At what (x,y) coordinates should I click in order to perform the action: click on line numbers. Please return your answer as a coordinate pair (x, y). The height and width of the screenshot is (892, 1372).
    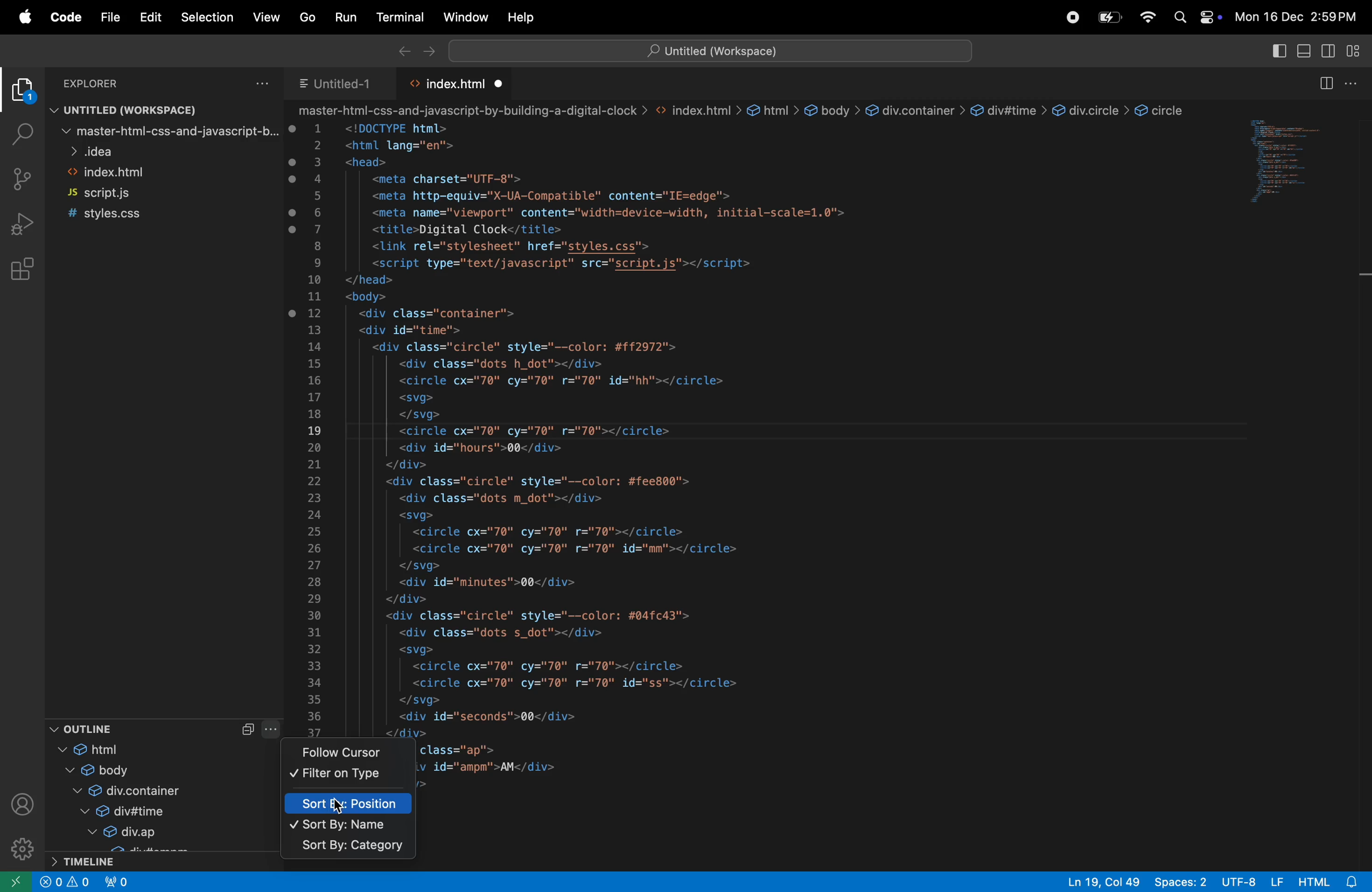
    Looking at the image, I should click on (316, 428).